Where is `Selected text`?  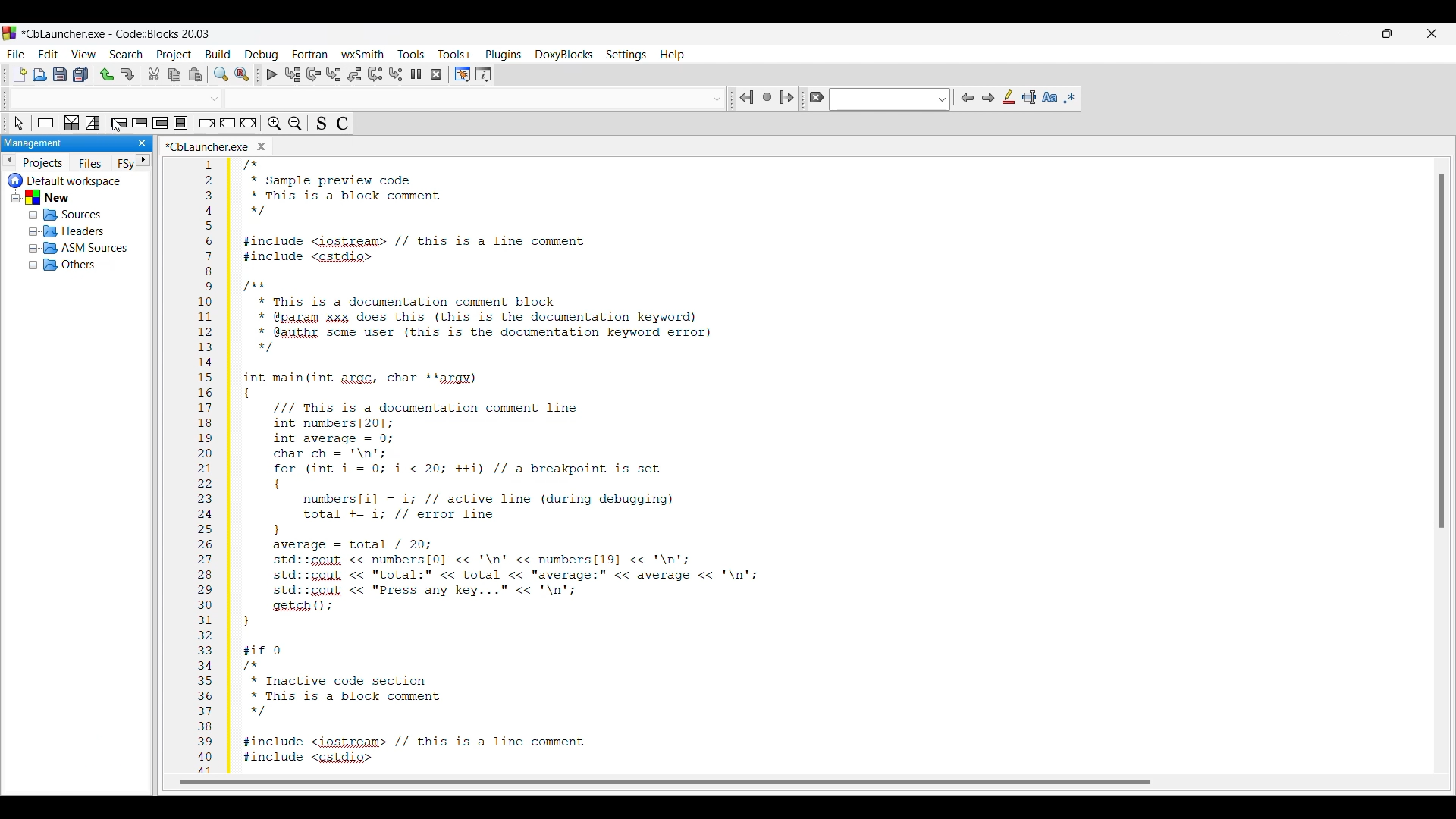 Selected text is located at coordinates (1029, 97).